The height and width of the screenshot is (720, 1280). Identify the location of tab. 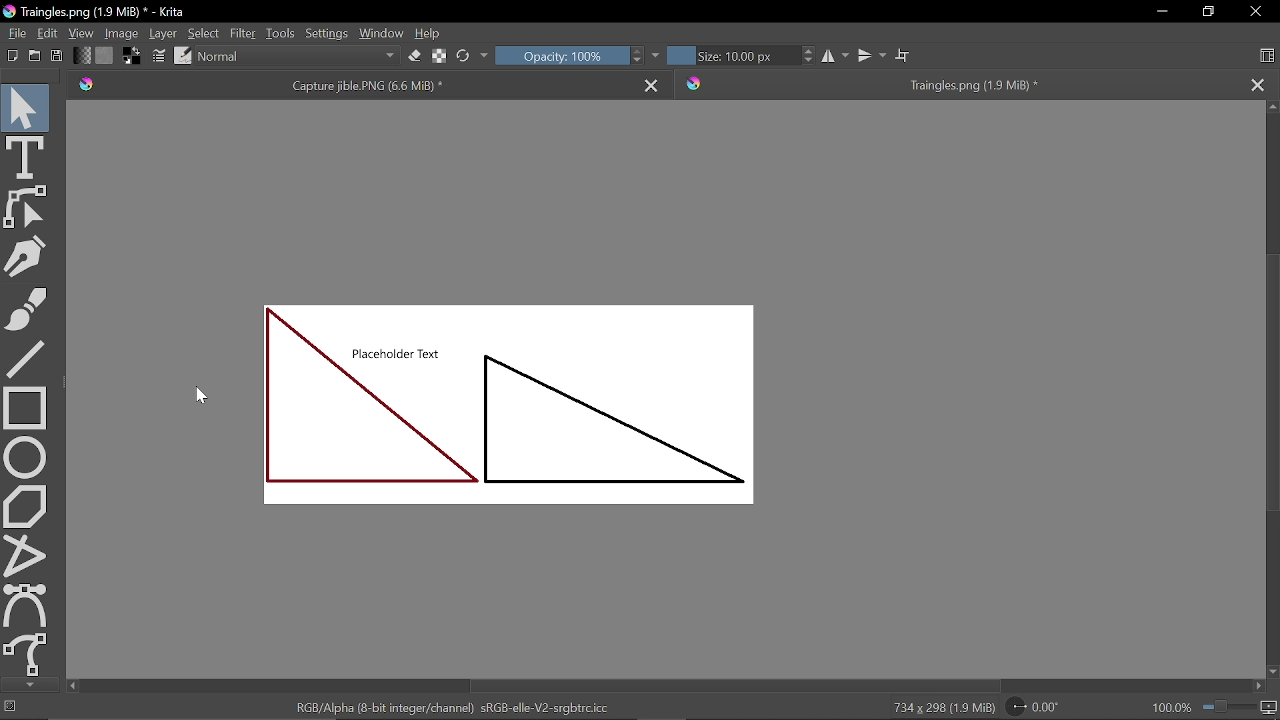
(958, 83).